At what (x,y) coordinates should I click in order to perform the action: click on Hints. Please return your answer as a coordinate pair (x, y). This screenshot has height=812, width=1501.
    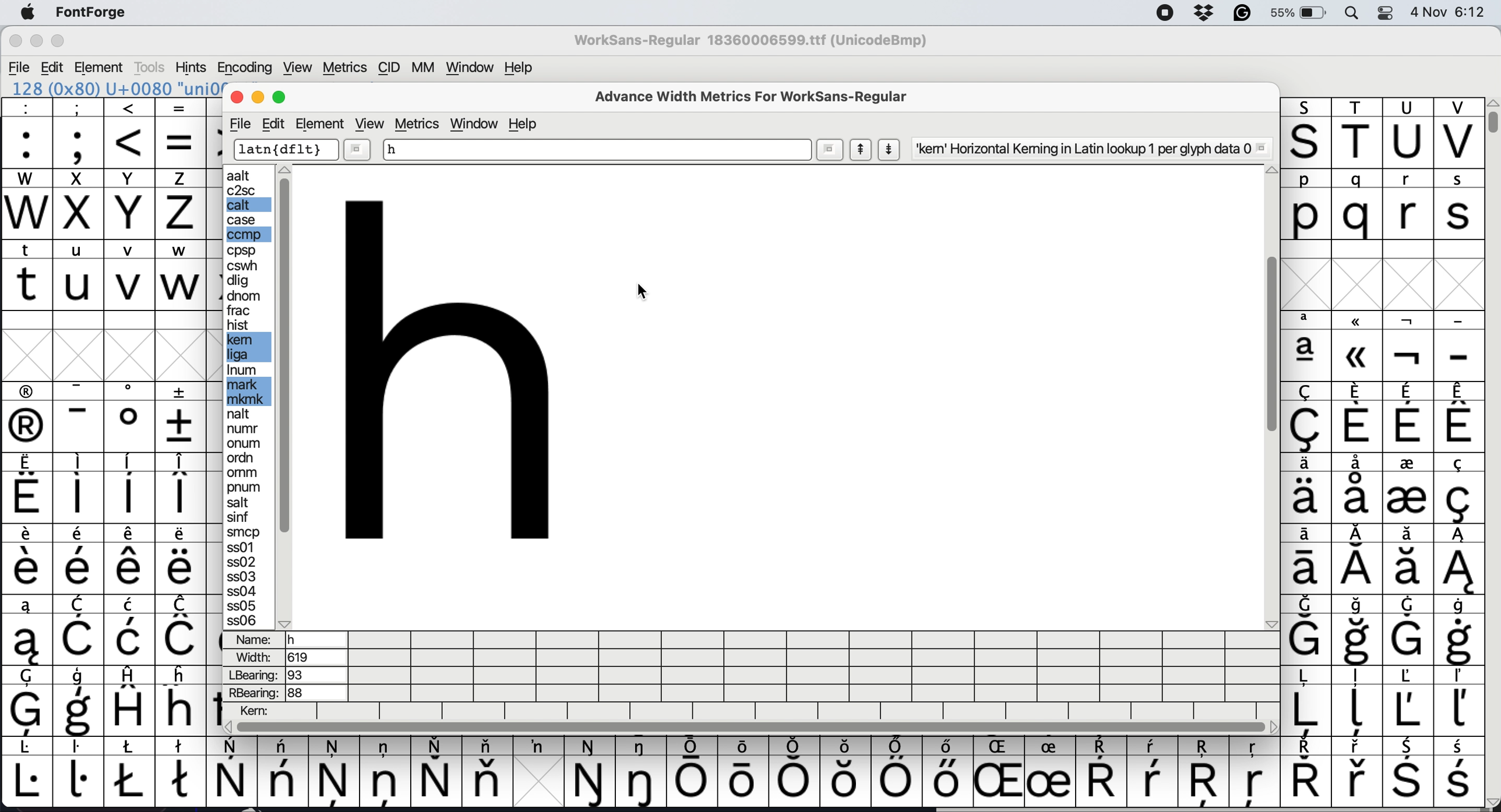
    Looking at the image, I should click on (189, 68).